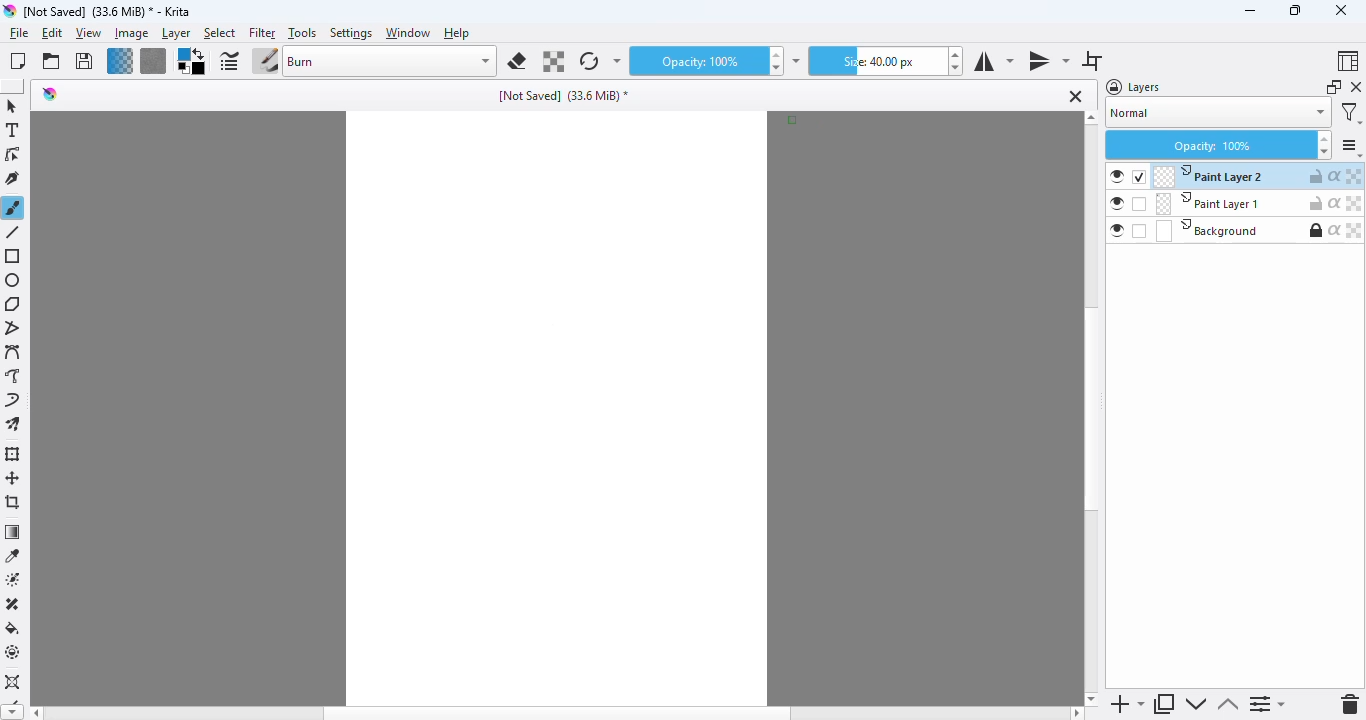 This screenshot has height=720, width=1366. What do you see at coordinates (84, 61) in the screenshot?
I see `save` at bounding box center [84, 61].